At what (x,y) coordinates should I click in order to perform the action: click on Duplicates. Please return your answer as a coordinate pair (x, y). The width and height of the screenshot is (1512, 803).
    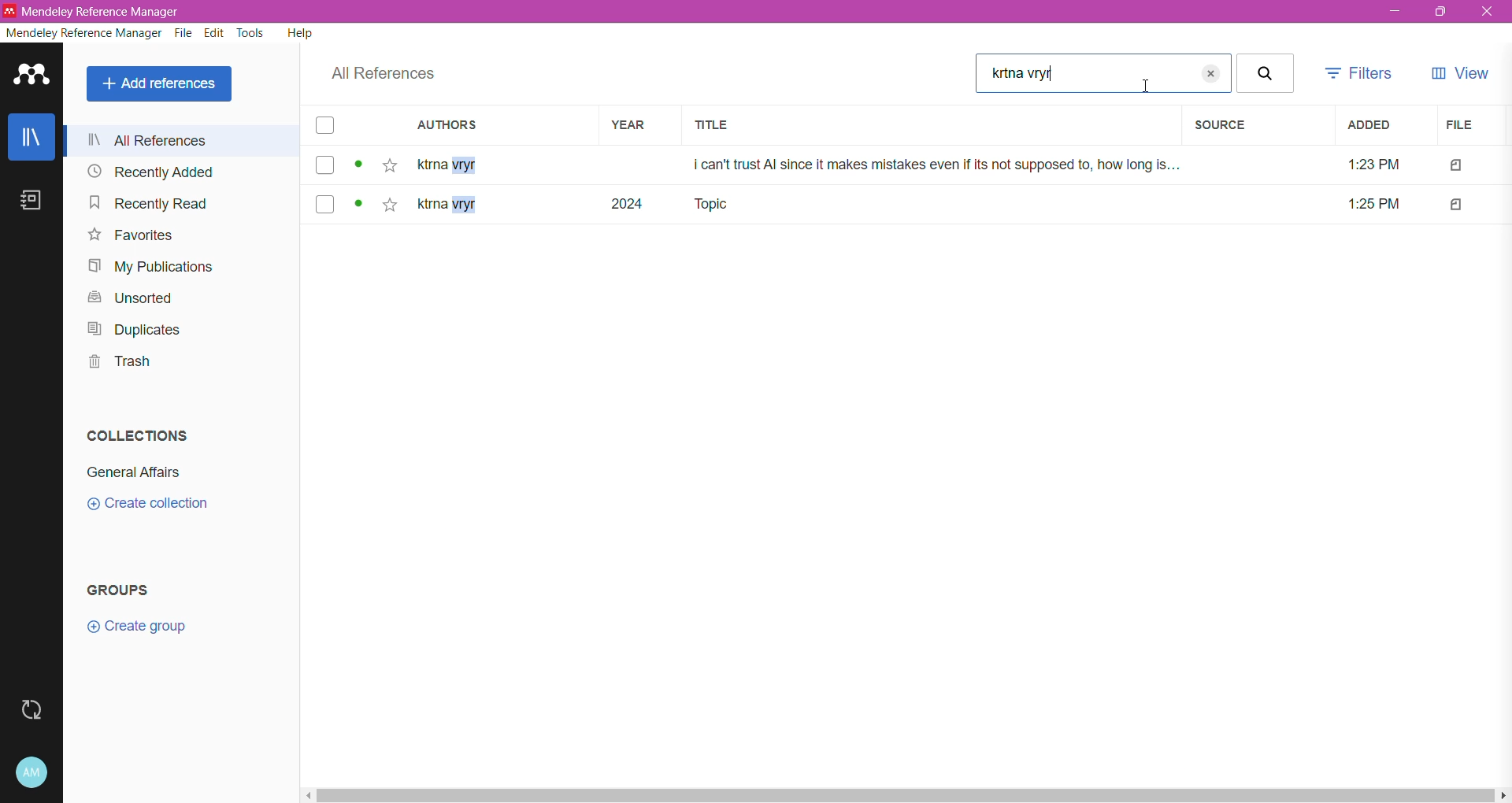
    Looking at the image, I should click on (143, 330).